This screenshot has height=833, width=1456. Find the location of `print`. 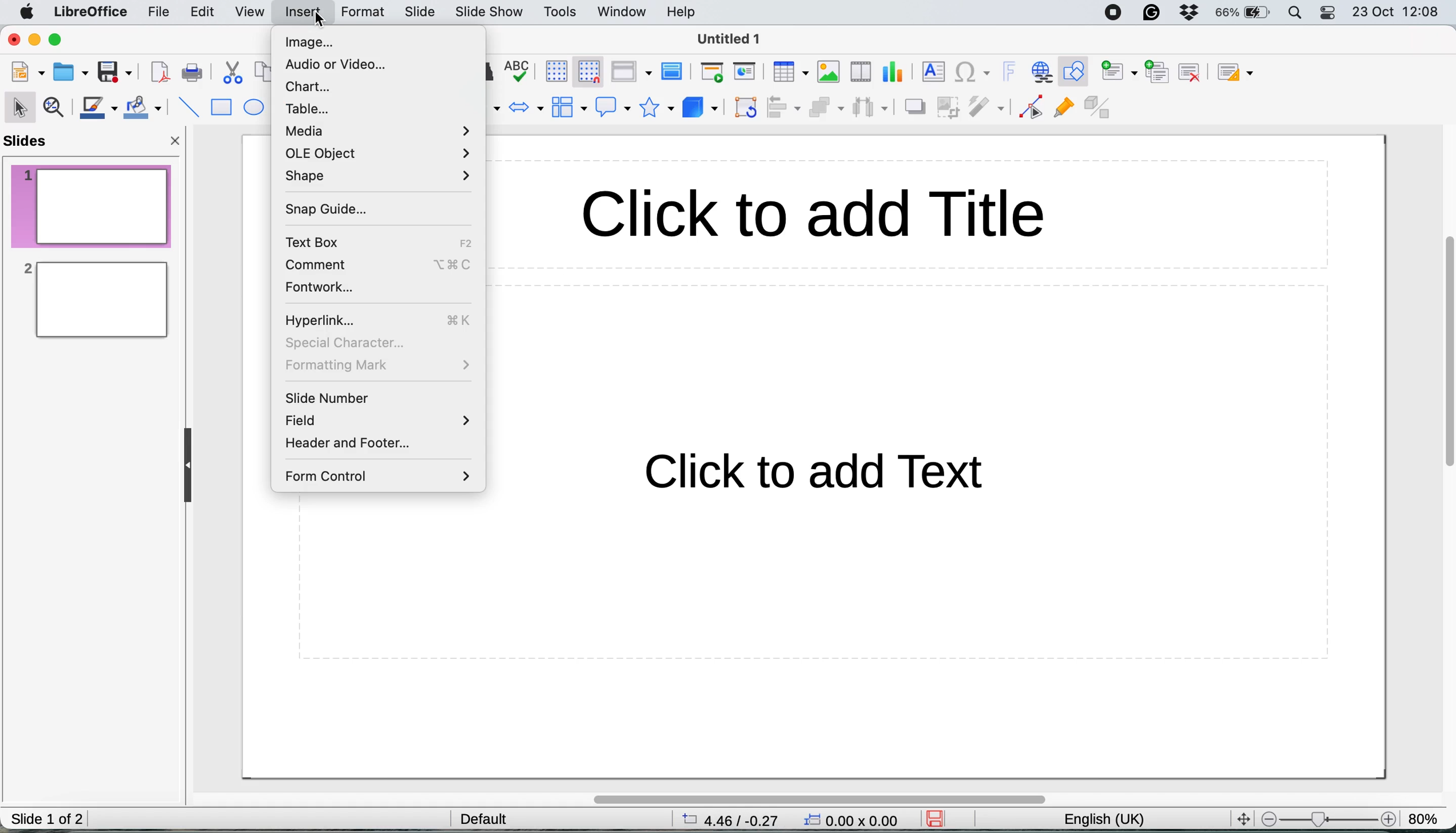

print is located at coordinates (192, 73).